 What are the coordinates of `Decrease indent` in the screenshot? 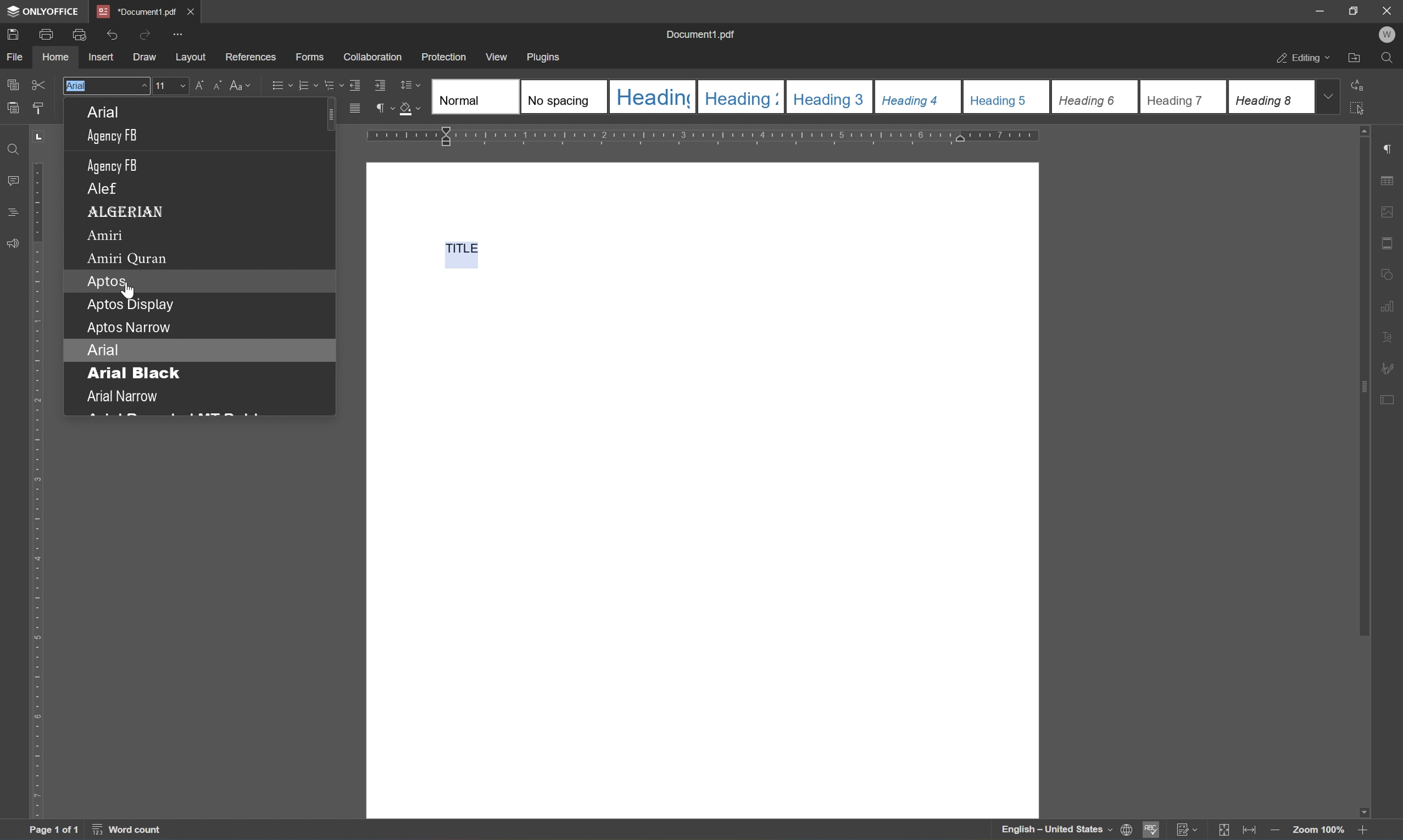 It's located at (355, 84).